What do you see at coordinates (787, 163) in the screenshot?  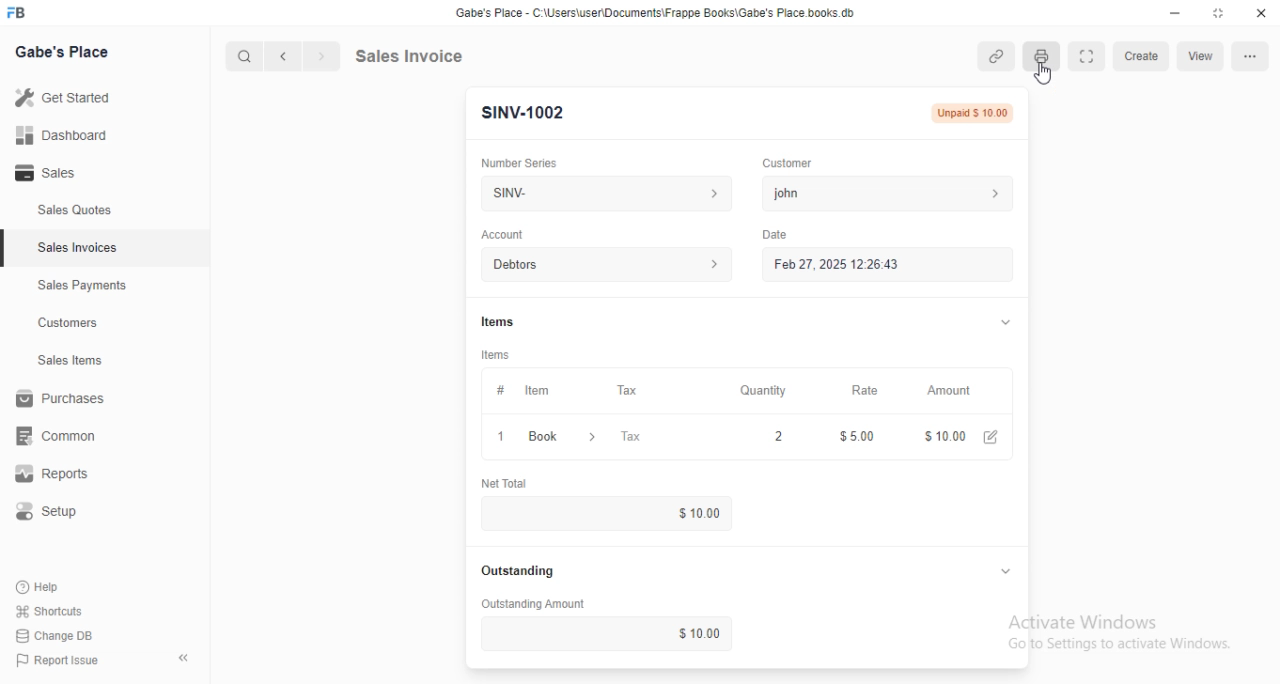 I see `customer` at bounding box center [787, 163].